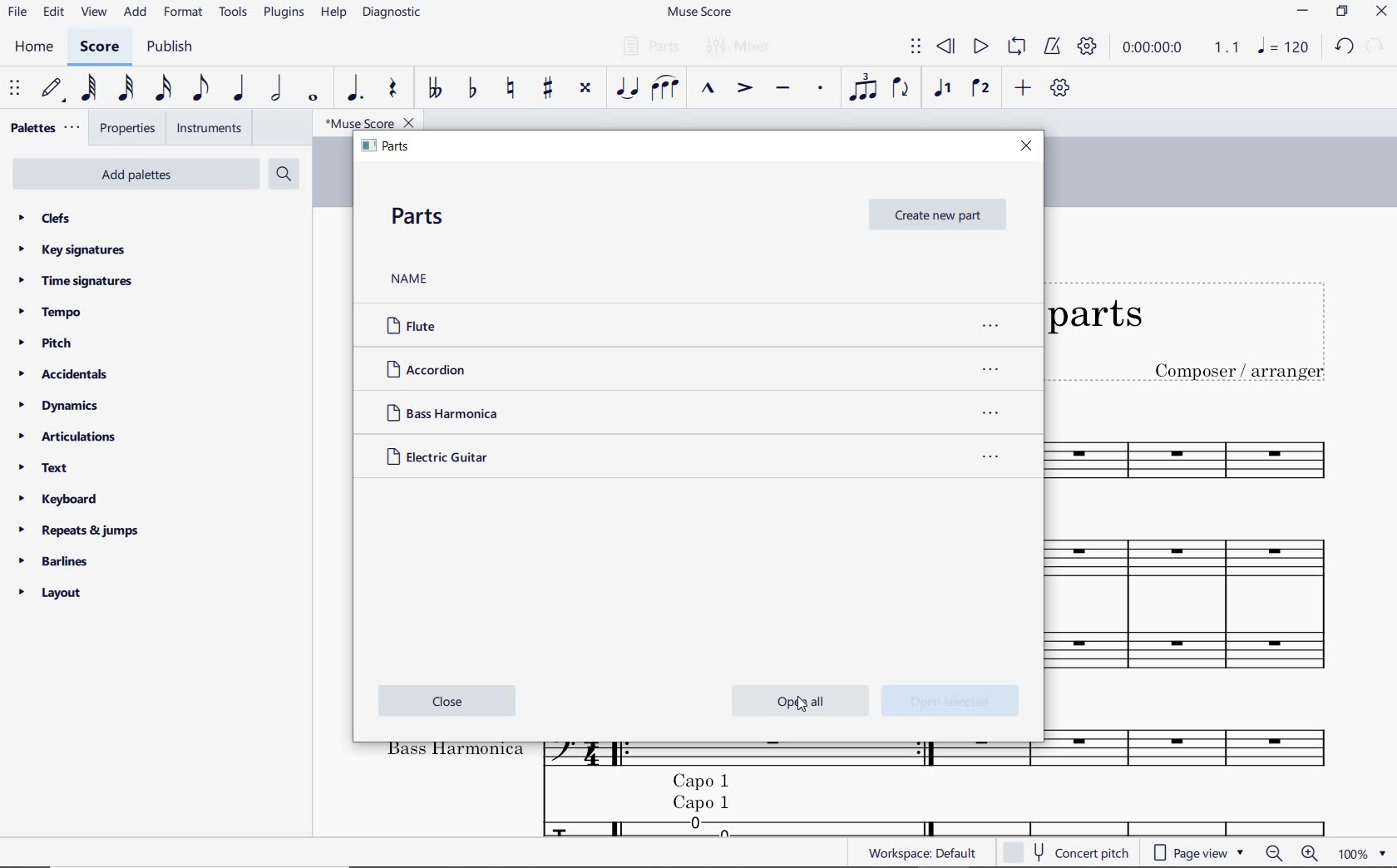  I want to click on view, so click(91, 13).